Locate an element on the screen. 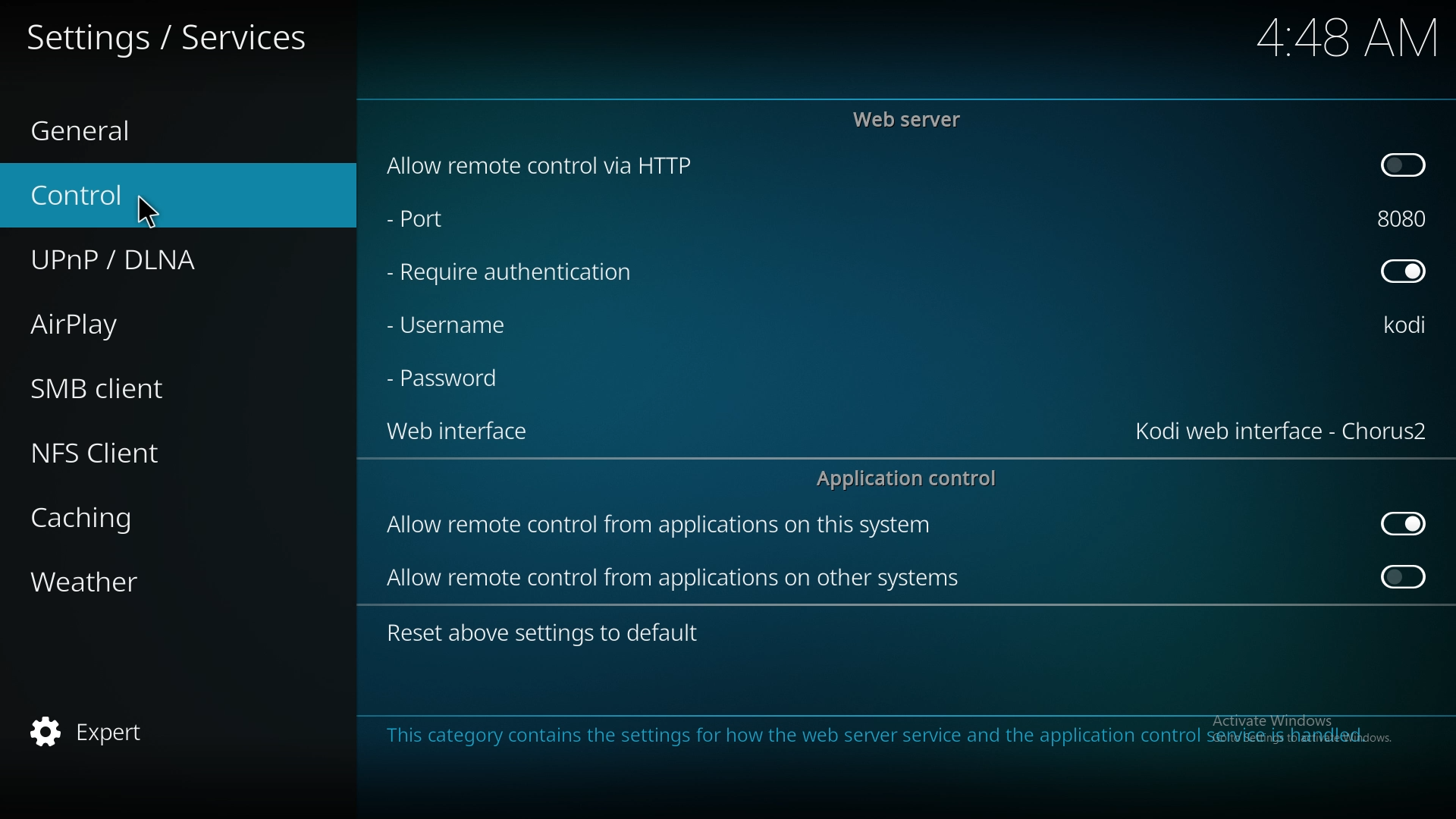 The image size is (1456, 819). allow remote control from apps on this system is located at coordinates (684, 526).